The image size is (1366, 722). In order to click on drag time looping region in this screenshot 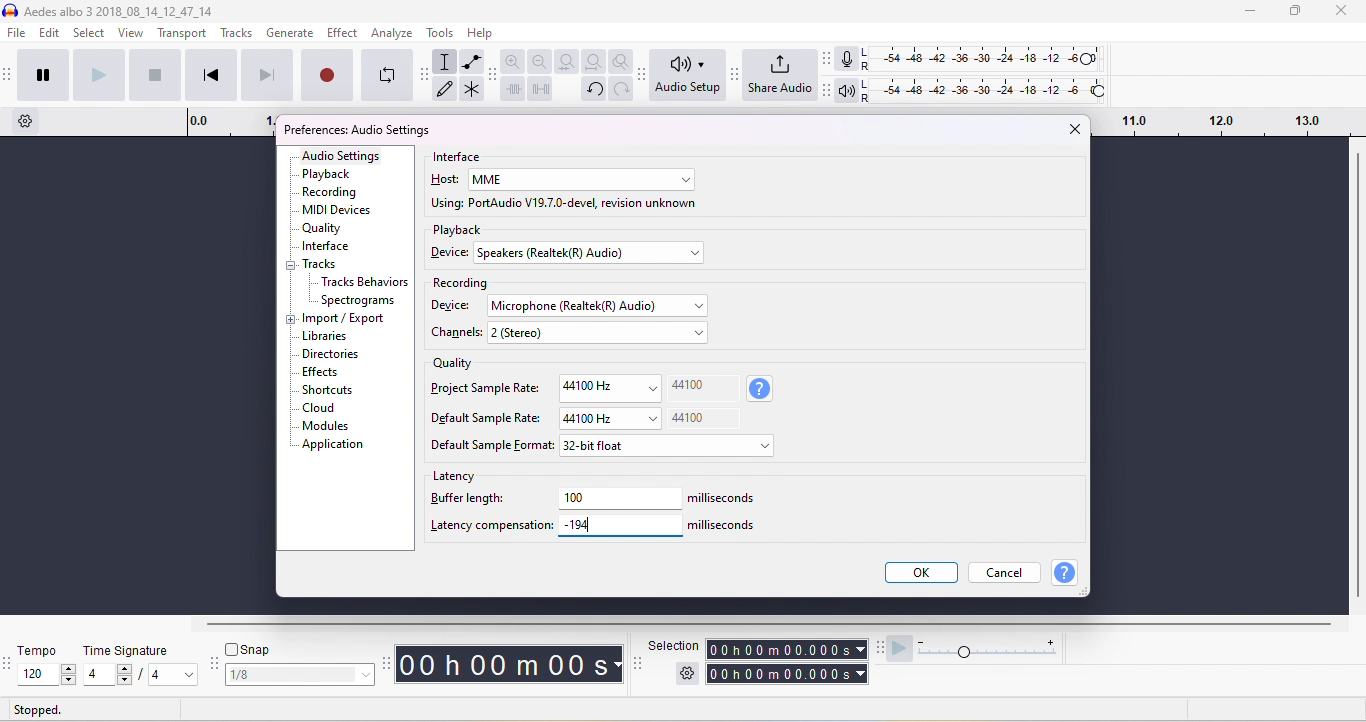, I will do `click(1224, 123)`.